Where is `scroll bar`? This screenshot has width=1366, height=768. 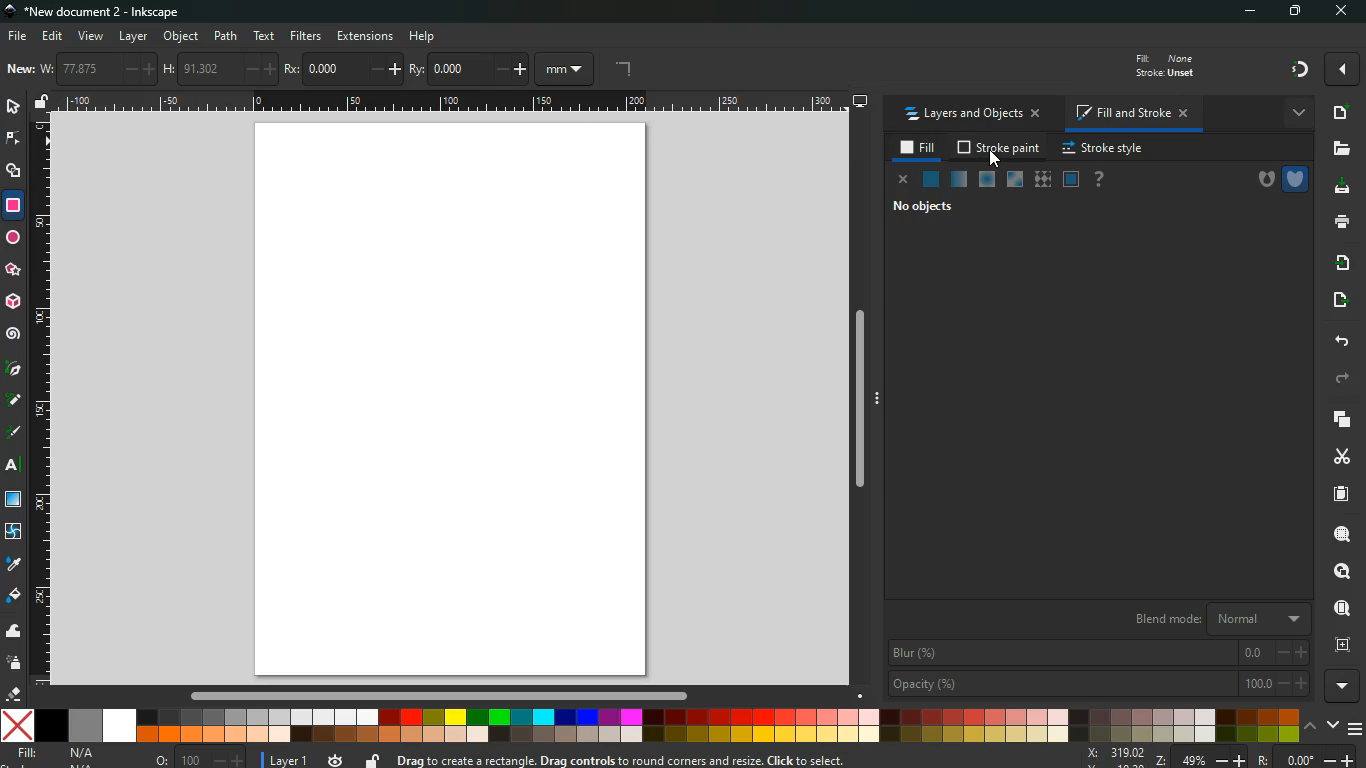
scroll bar is located at coordinates (859, 395).